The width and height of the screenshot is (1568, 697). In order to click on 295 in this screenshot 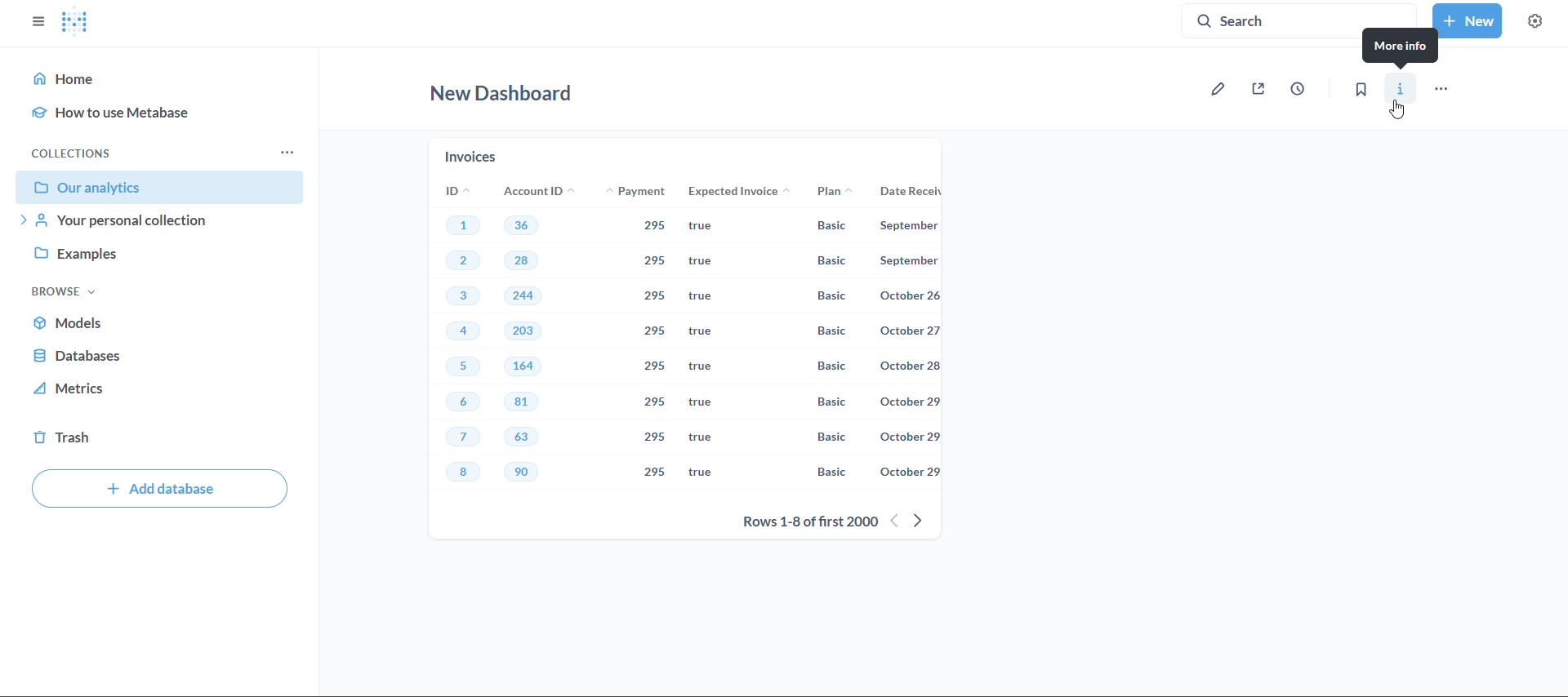, I will do `click(657, 262)`.